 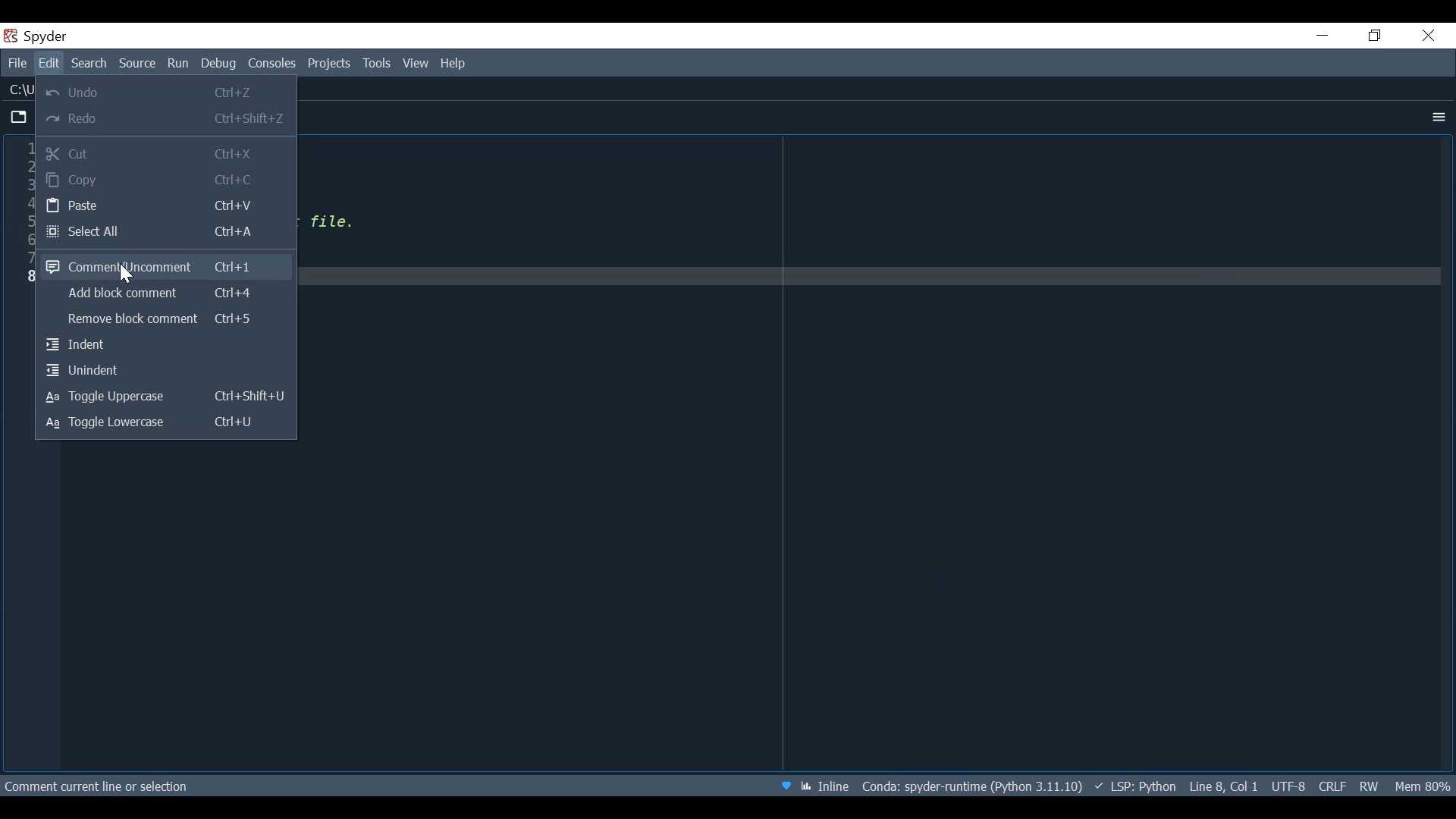 I want to click on Cursor, so click(x=126, y=275).